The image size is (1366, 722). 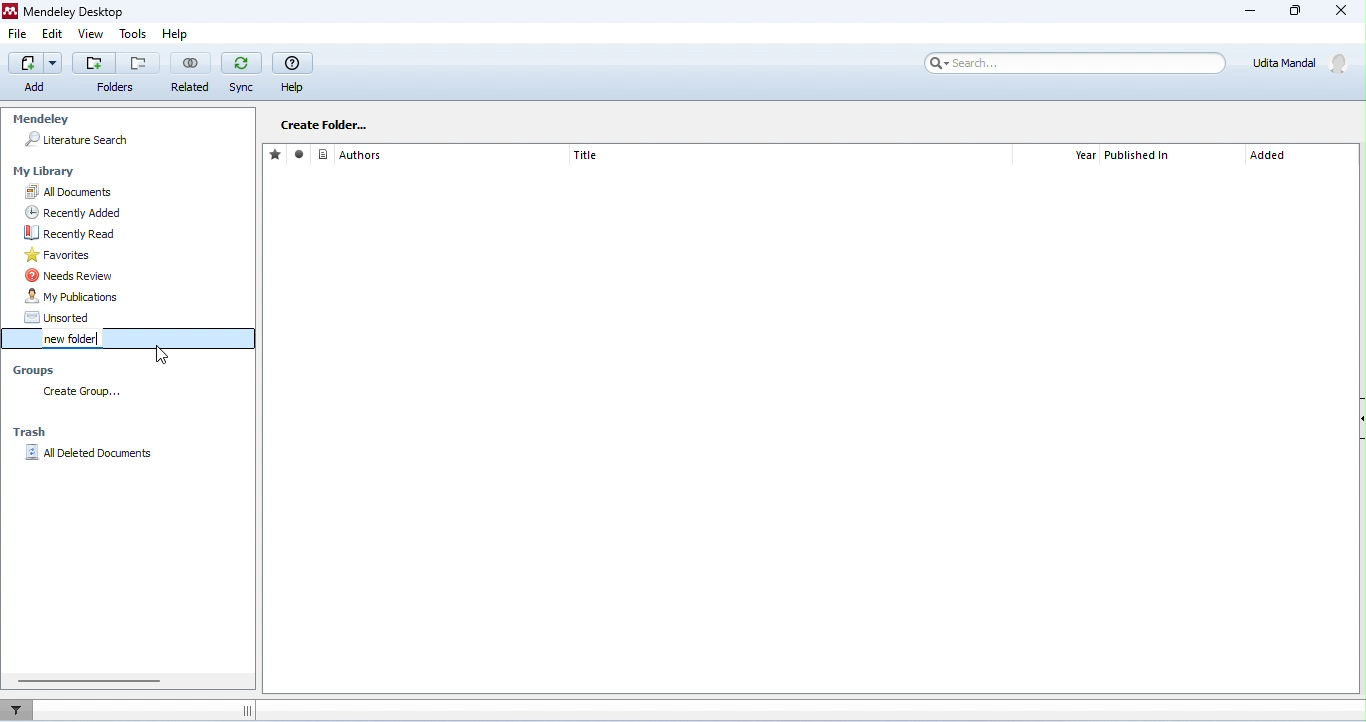 I want to click on Mendeley, so click(x=40, y=120).